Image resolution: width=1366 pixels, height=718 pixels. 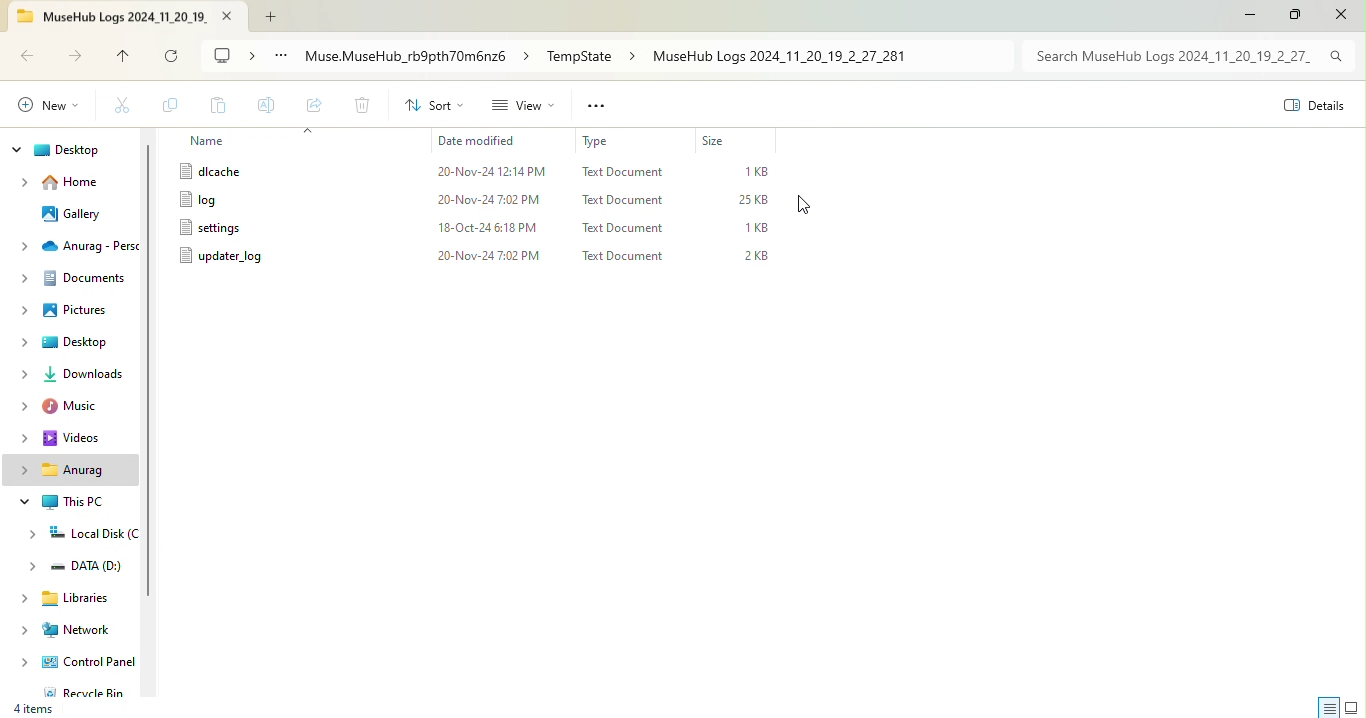 What do you see at coordinates (612, 141) in the screenshot?
I see `Type` at bounding box center [612, 141].